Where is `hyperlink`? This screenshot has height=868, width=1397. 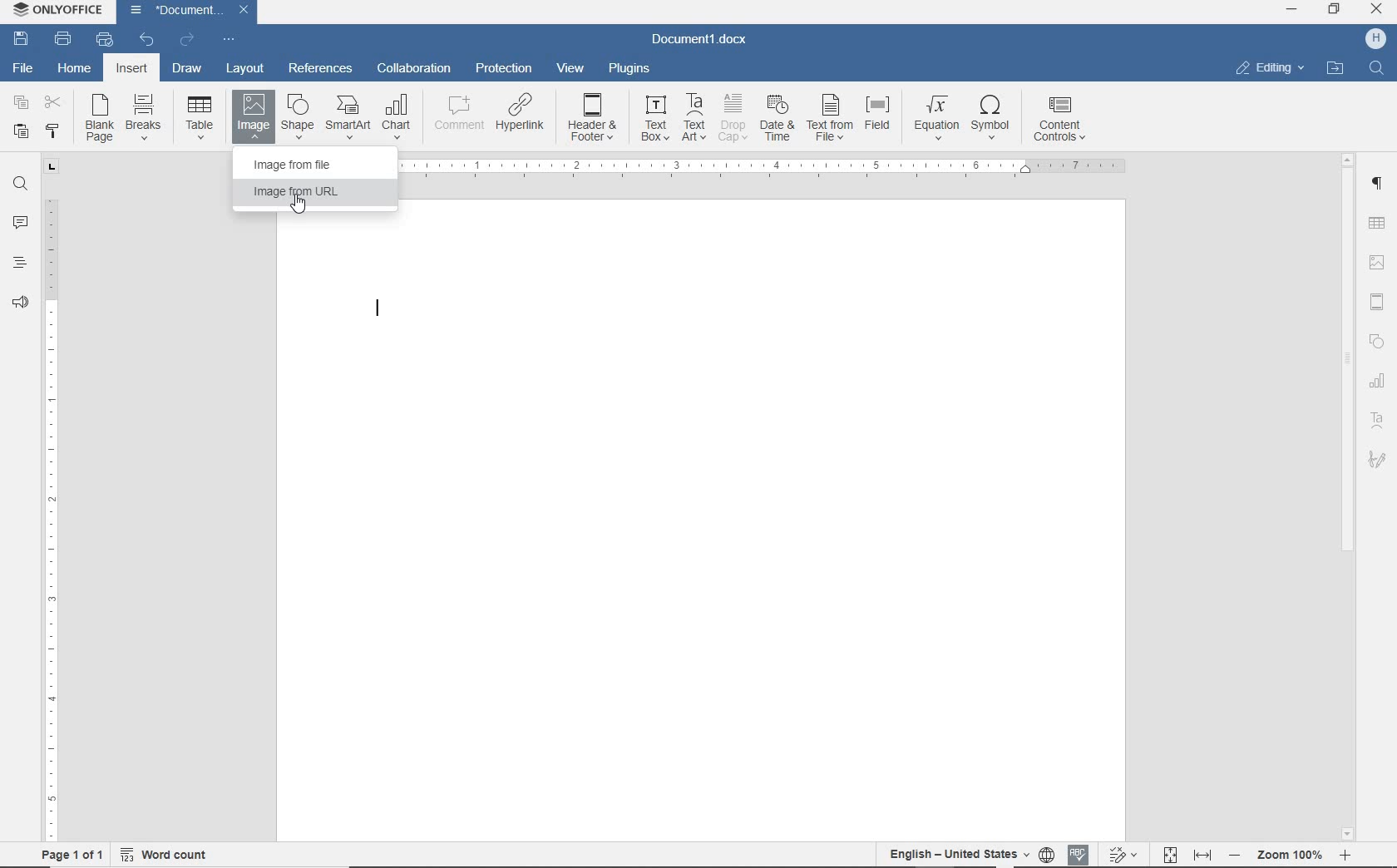 hyperlink is located at coordinates (520, 116).